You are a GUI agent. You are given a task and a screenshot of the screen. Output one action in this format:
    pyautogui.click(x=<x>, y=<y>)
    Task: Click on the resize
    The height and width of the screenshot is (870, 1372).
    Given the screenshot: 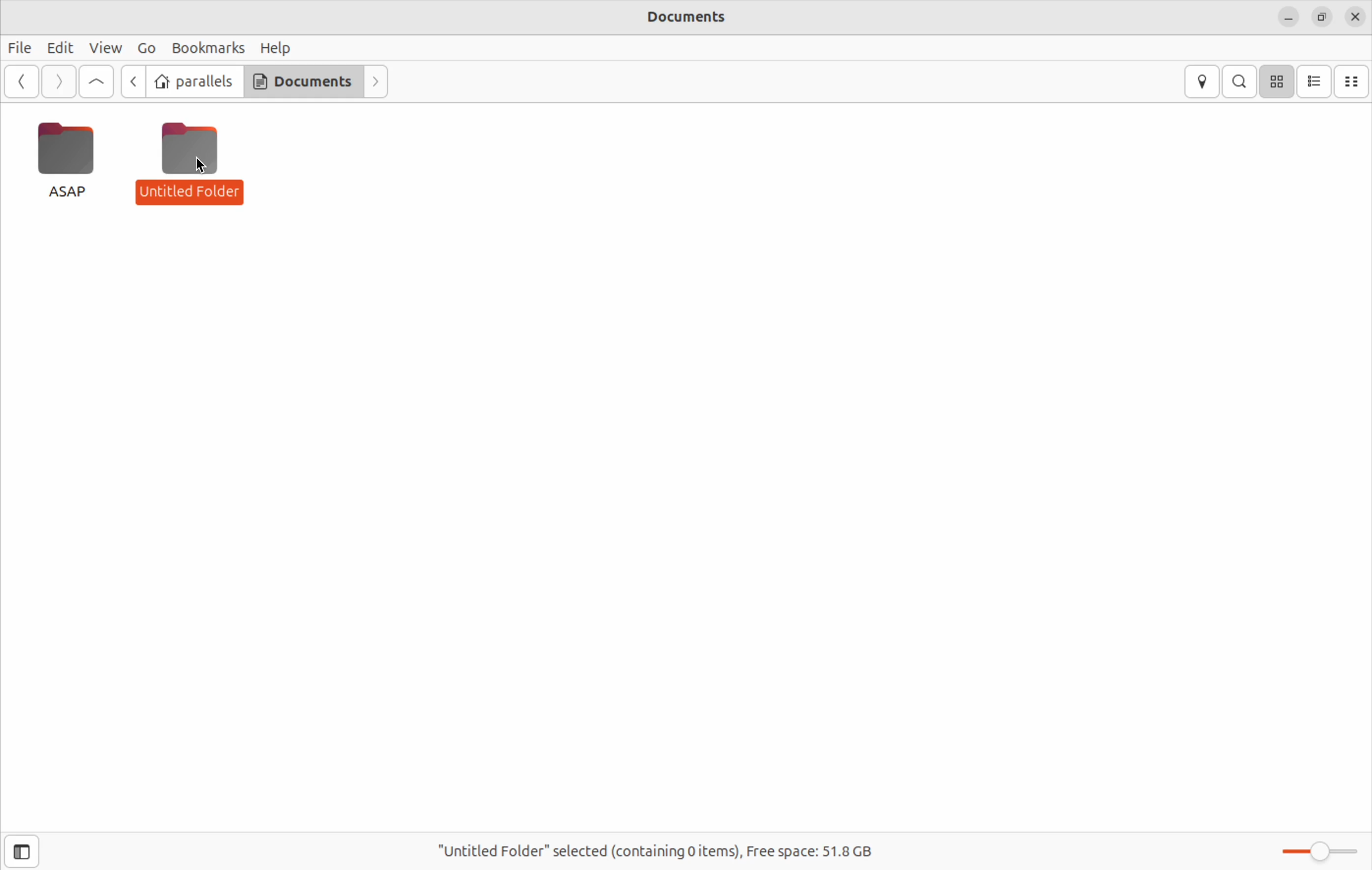 What is the action you would take?
    pyautogui.click(x=1321, y=17)
    